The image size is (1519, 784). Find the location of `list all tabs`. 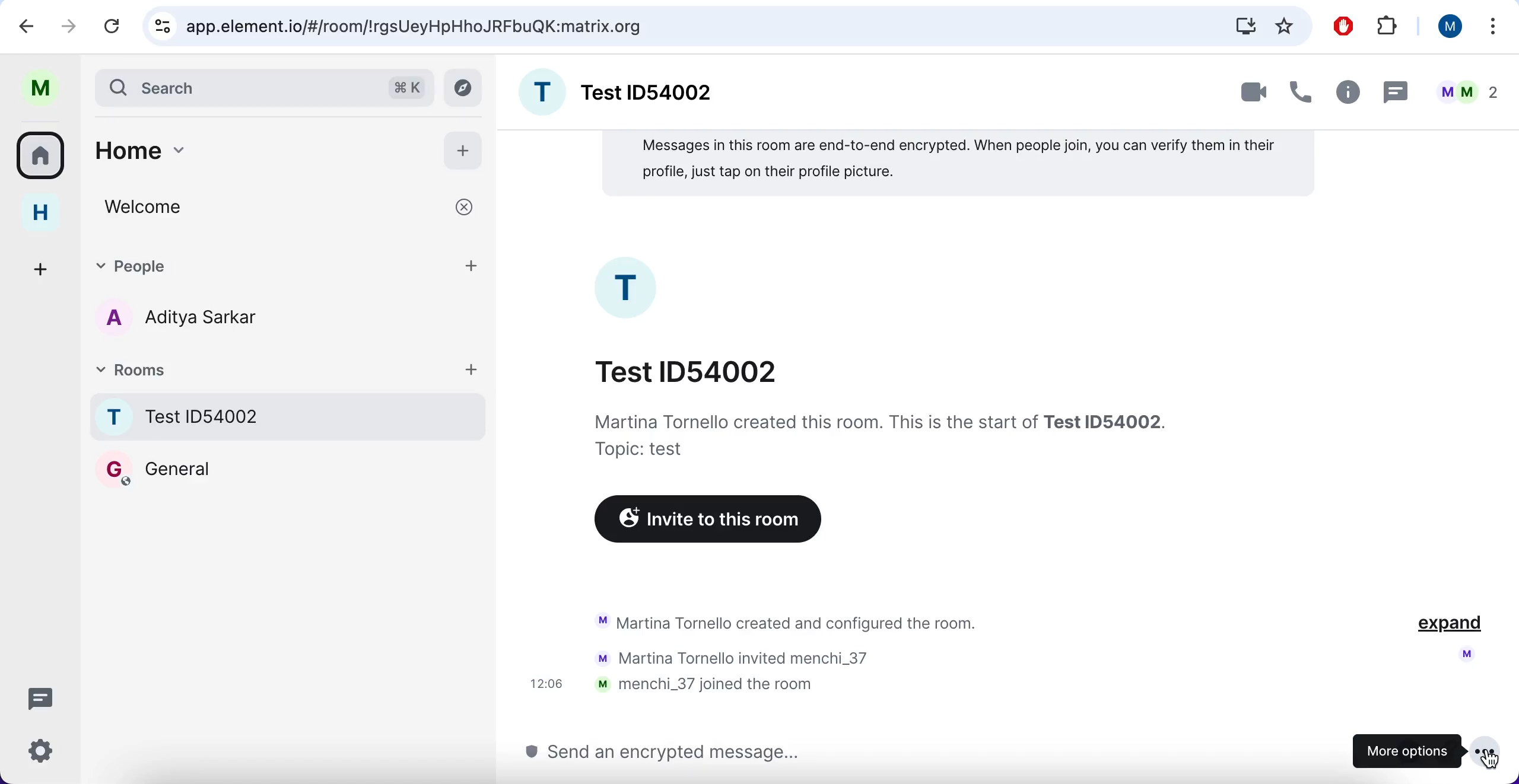

list all tabs is located at coordinates (1494, 26).